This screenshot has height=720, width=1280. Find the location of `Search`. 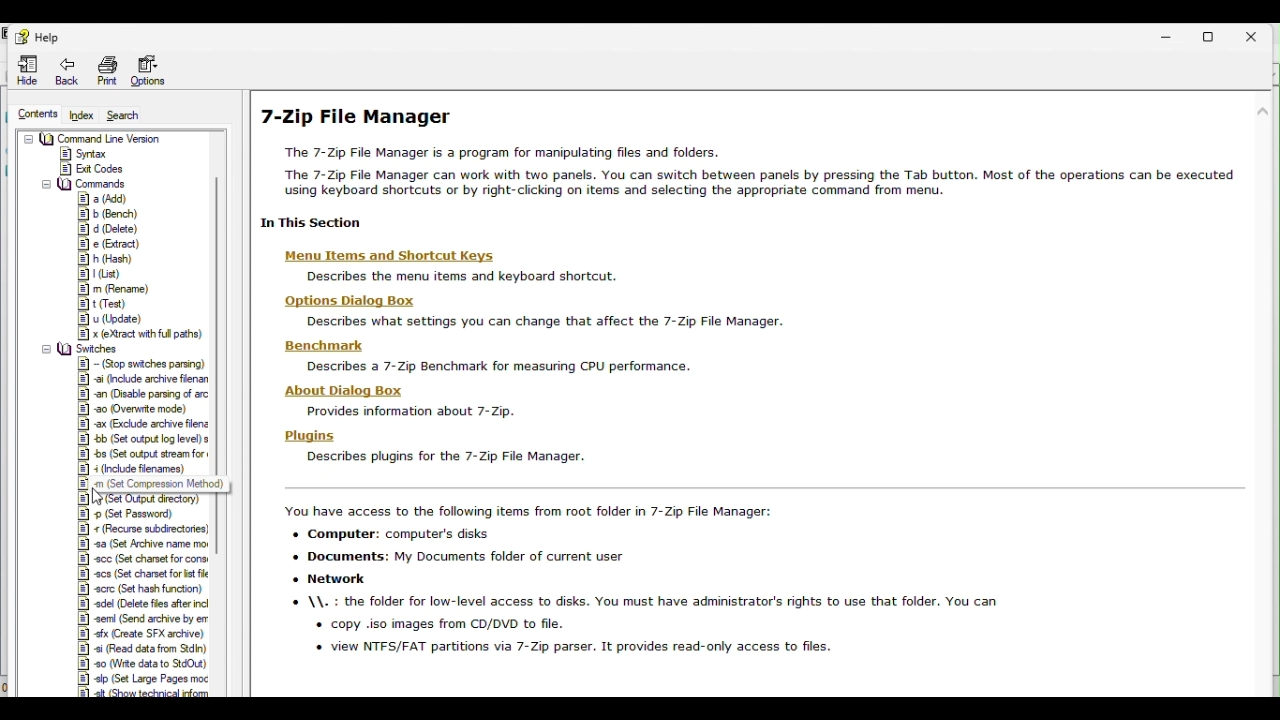

Search is located at coordinates (130, 115).